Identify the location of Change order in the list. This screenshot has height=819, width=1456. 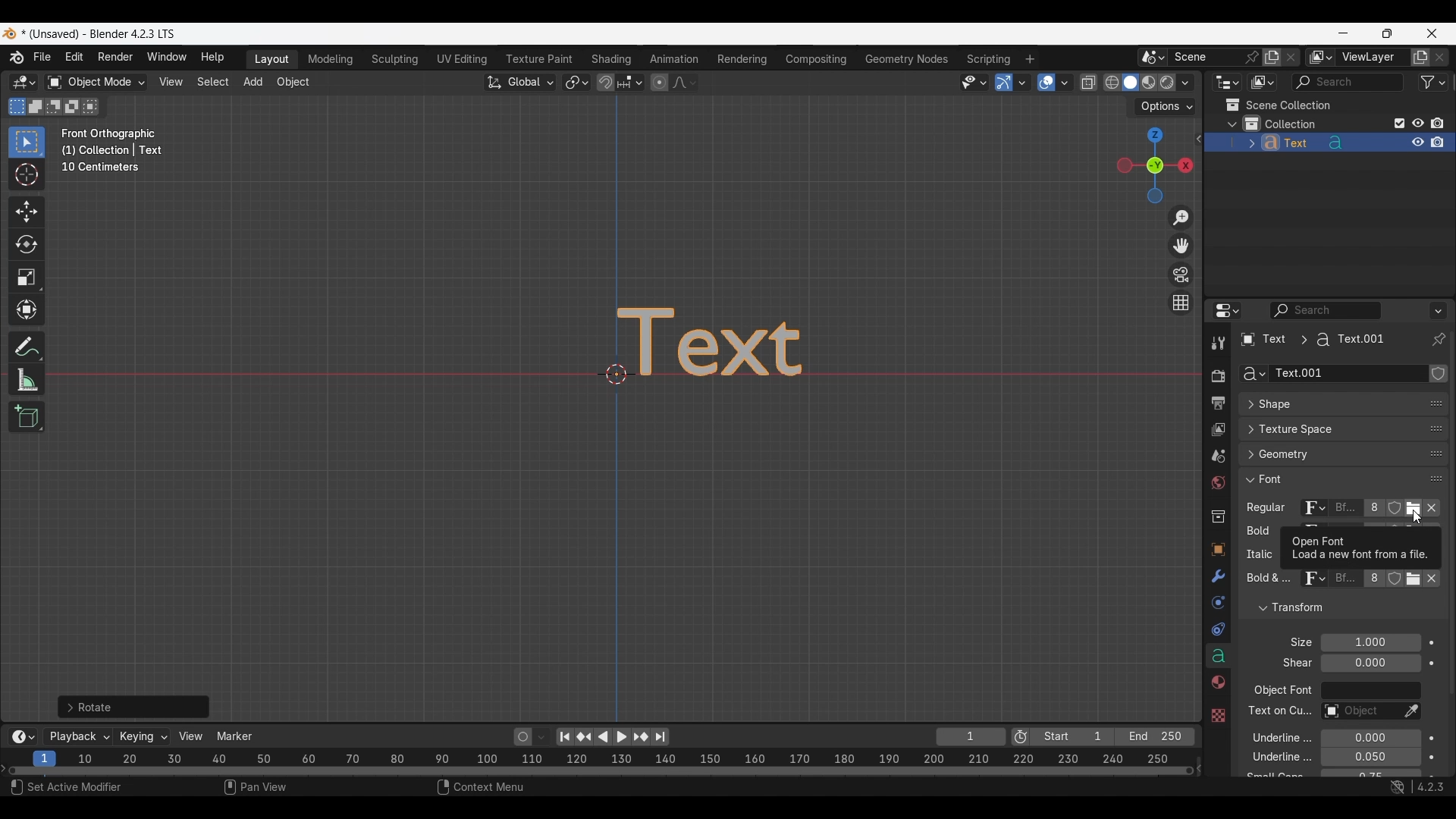
(1439, 375).